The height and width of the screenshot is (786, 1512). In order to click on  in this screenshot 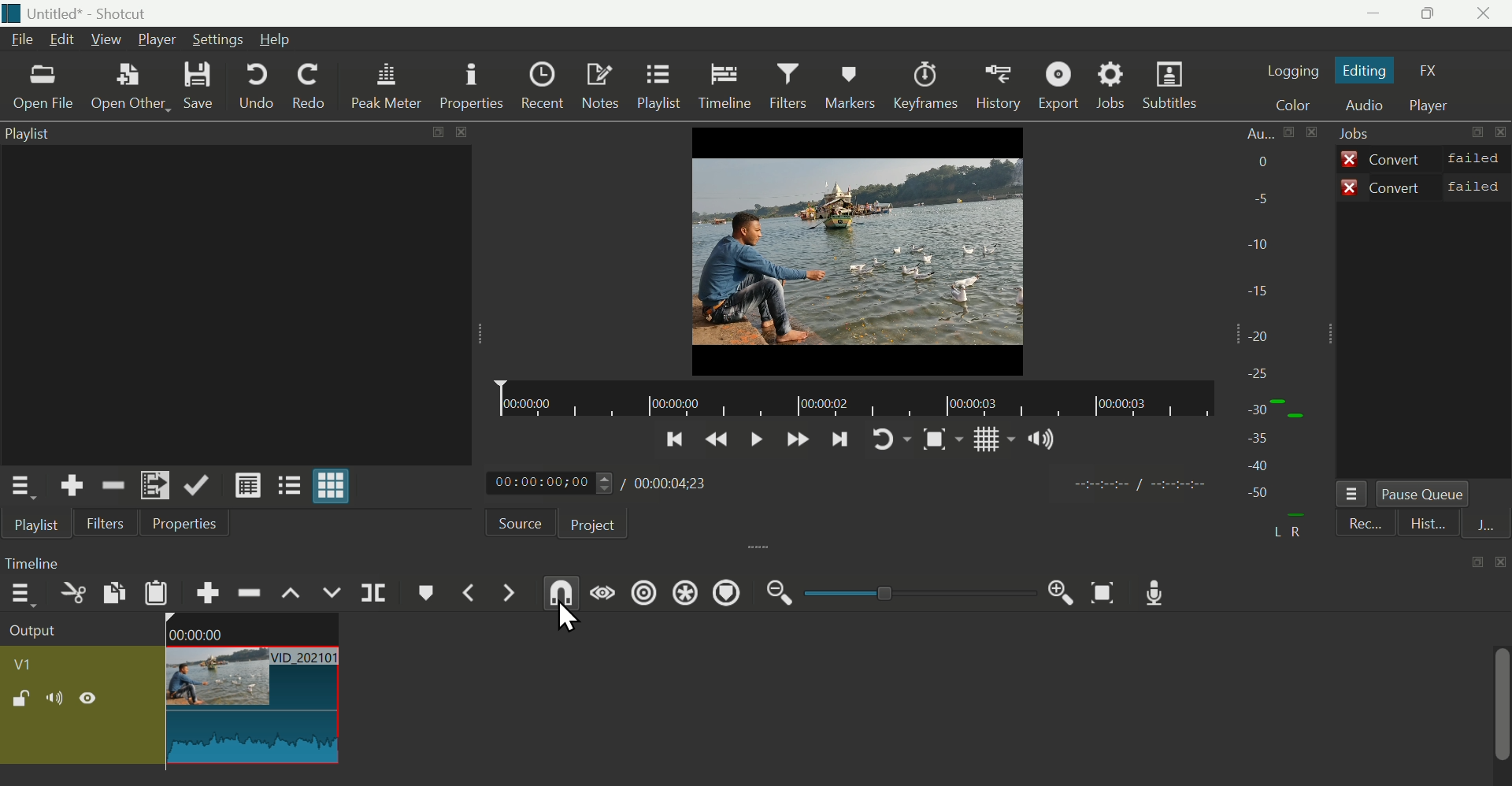, I will do `click(109, 484)`.